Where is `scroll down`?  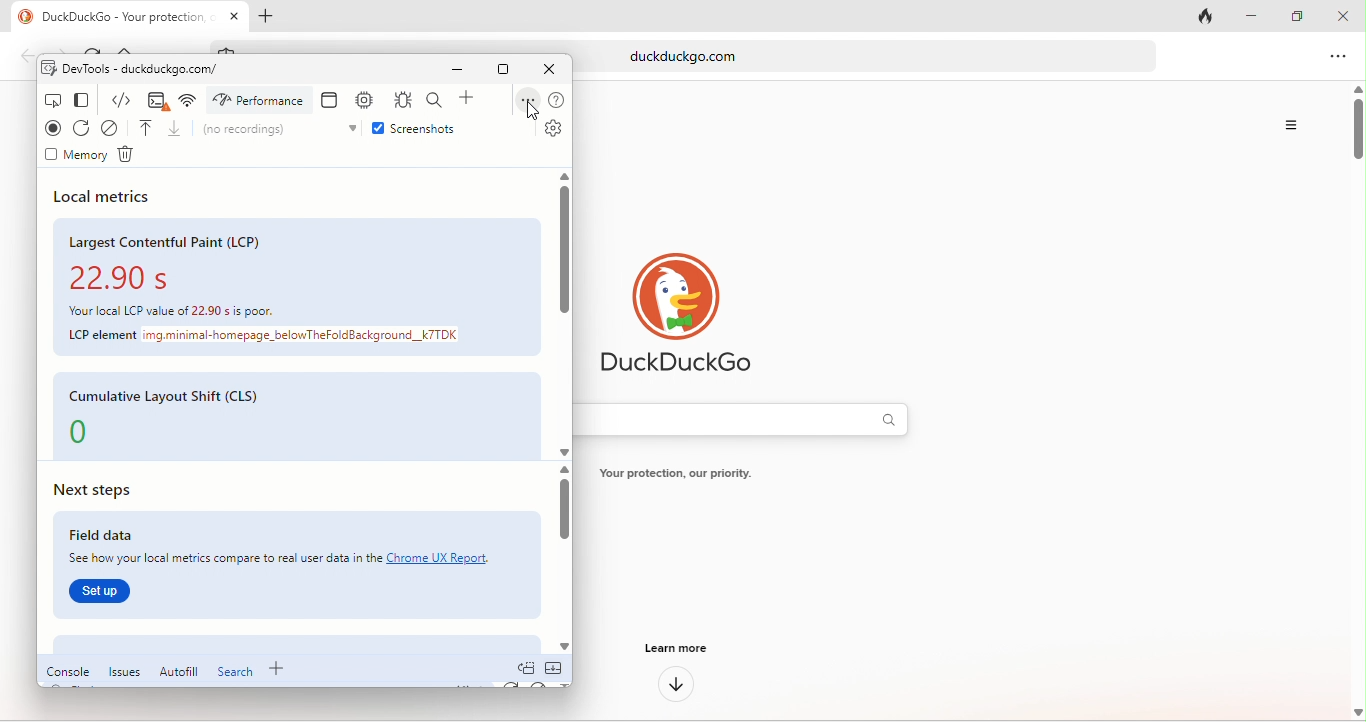 scroll down is located at coordinates (561, 639).